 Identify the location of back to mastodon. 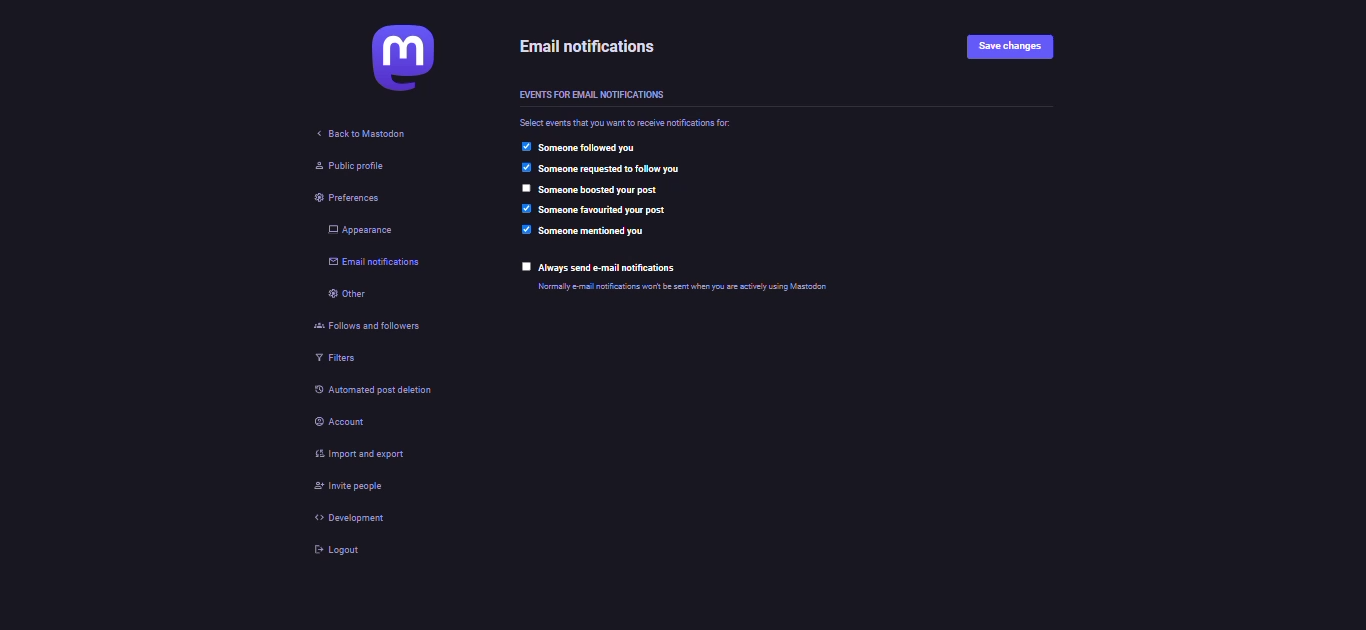
(362, 132).